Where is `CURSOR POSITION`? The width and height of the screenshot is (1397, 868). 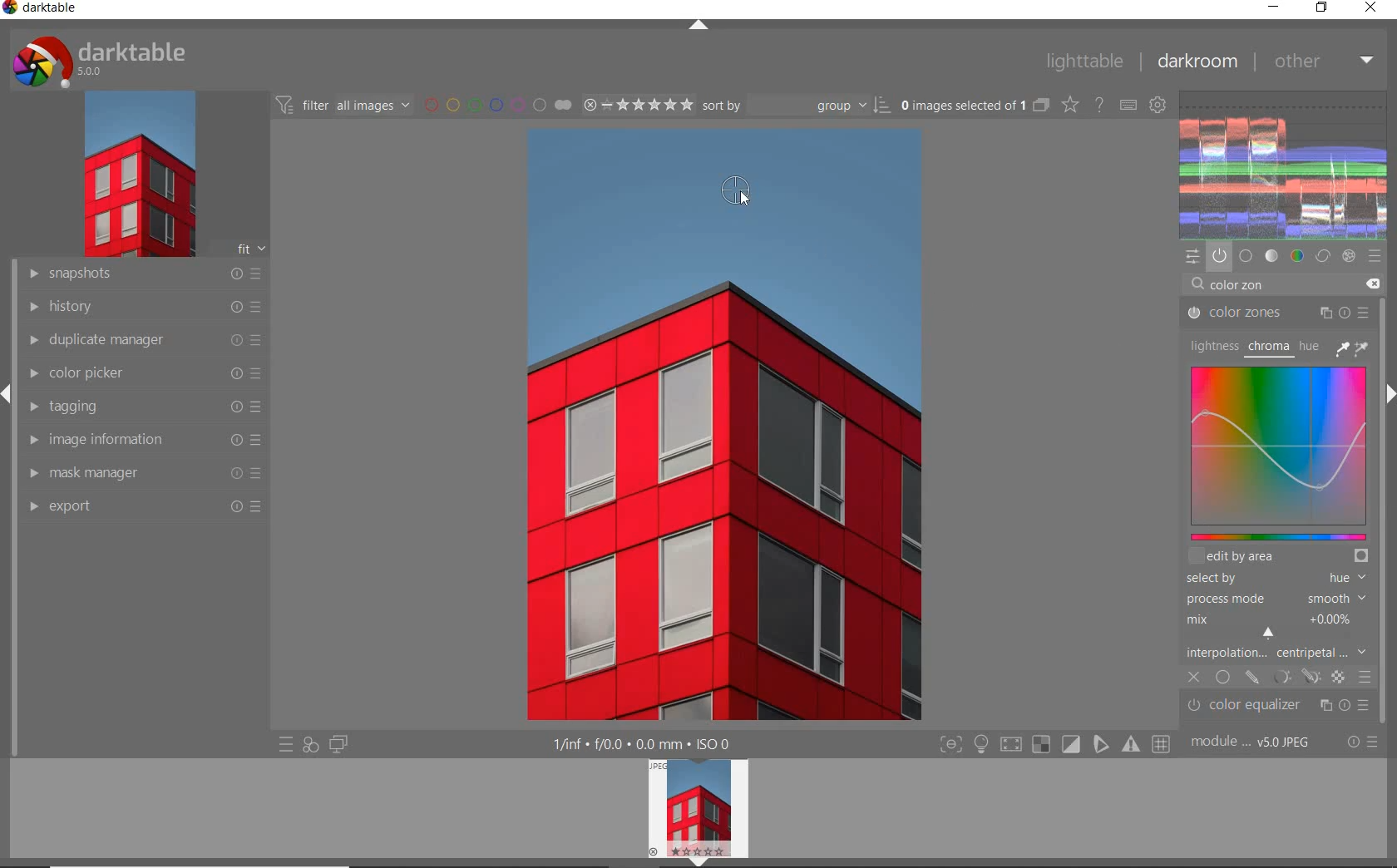
CURSOR POSITION is located at coordinates (1270, 632).